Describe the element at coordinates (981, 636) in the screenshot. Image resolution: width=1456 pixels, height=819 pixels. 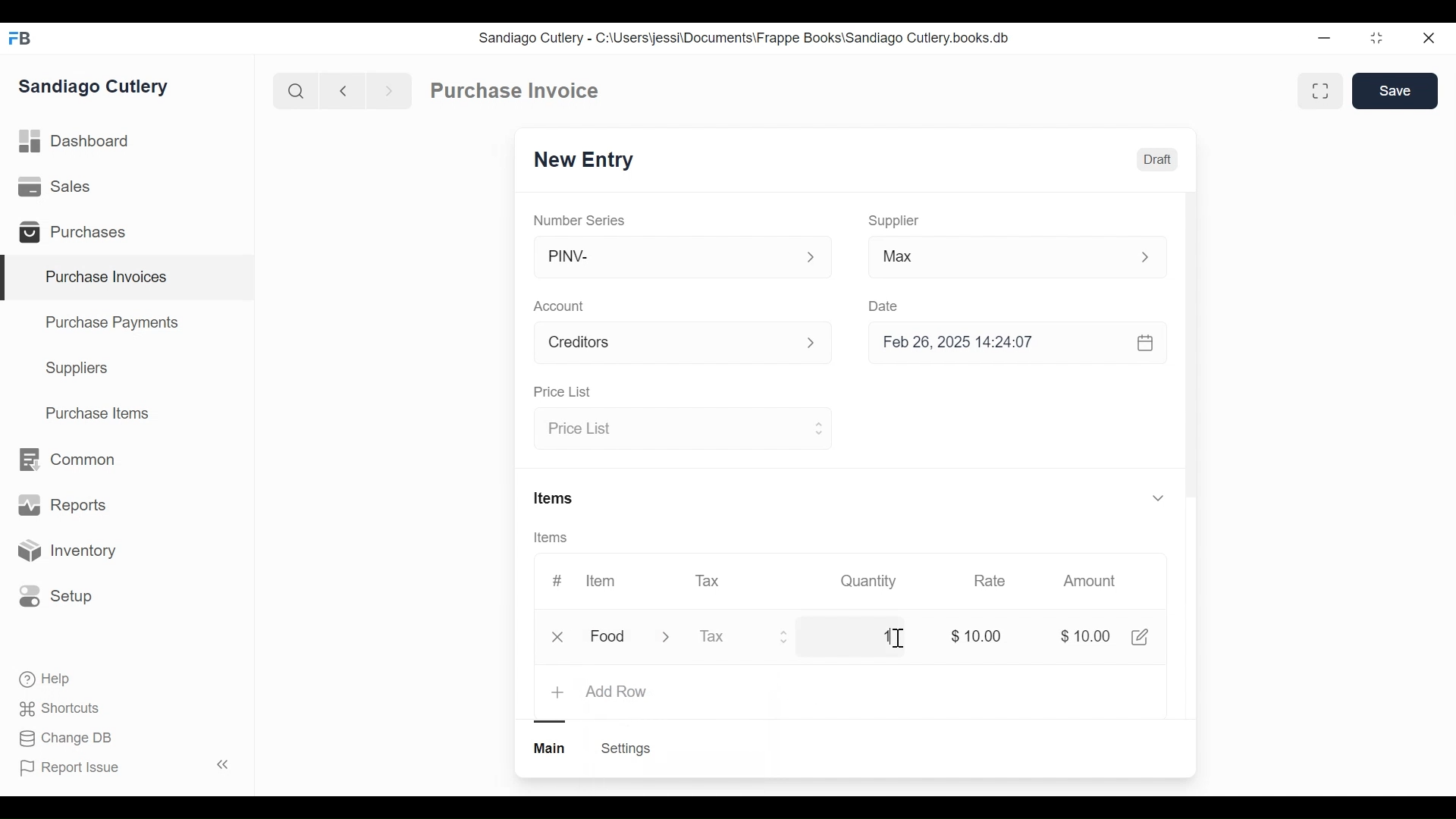
I see `$0.00` at that location.